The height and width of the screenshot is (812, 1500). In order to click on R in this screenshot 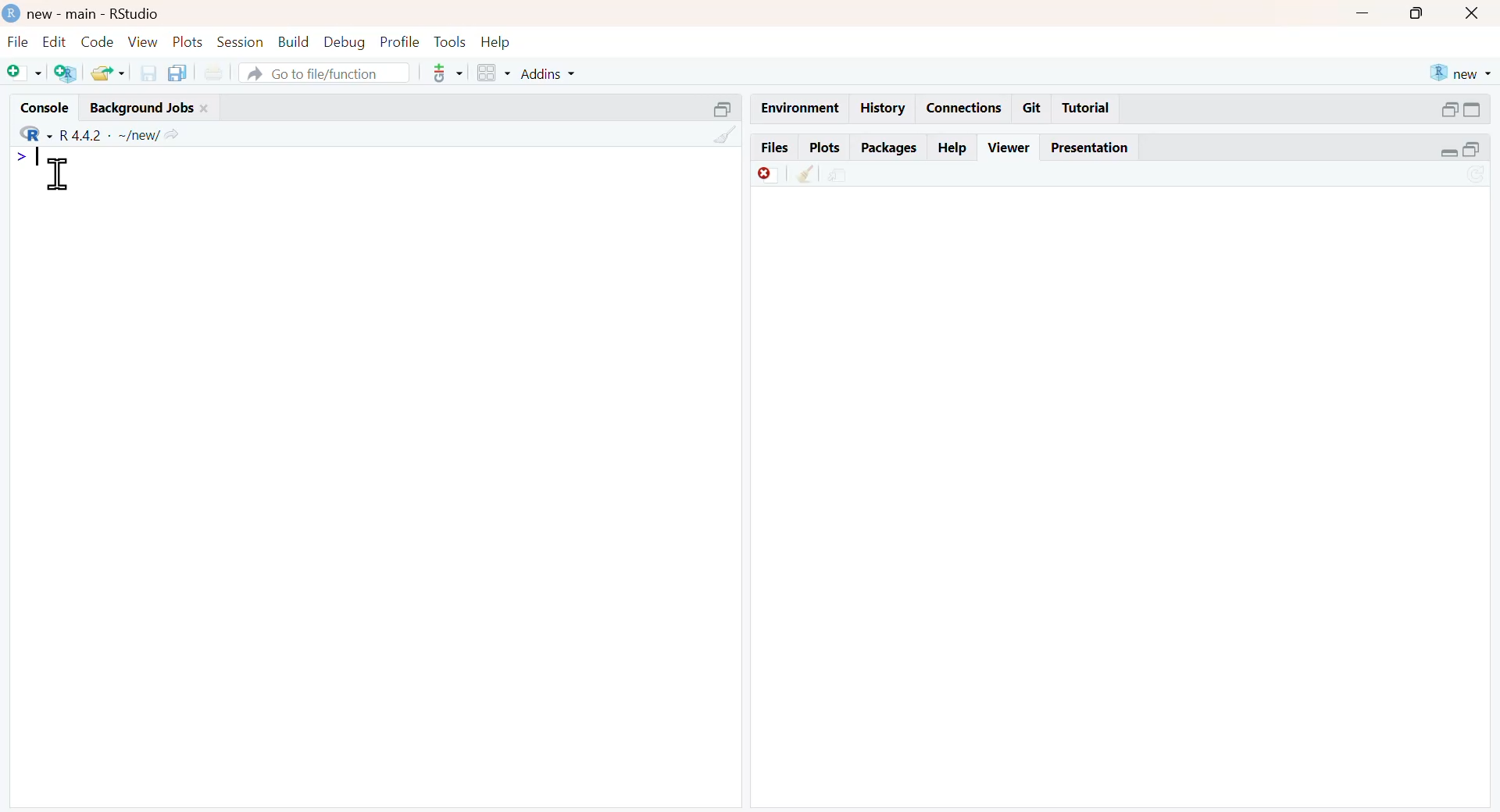, I will do `click(37, 133)`.